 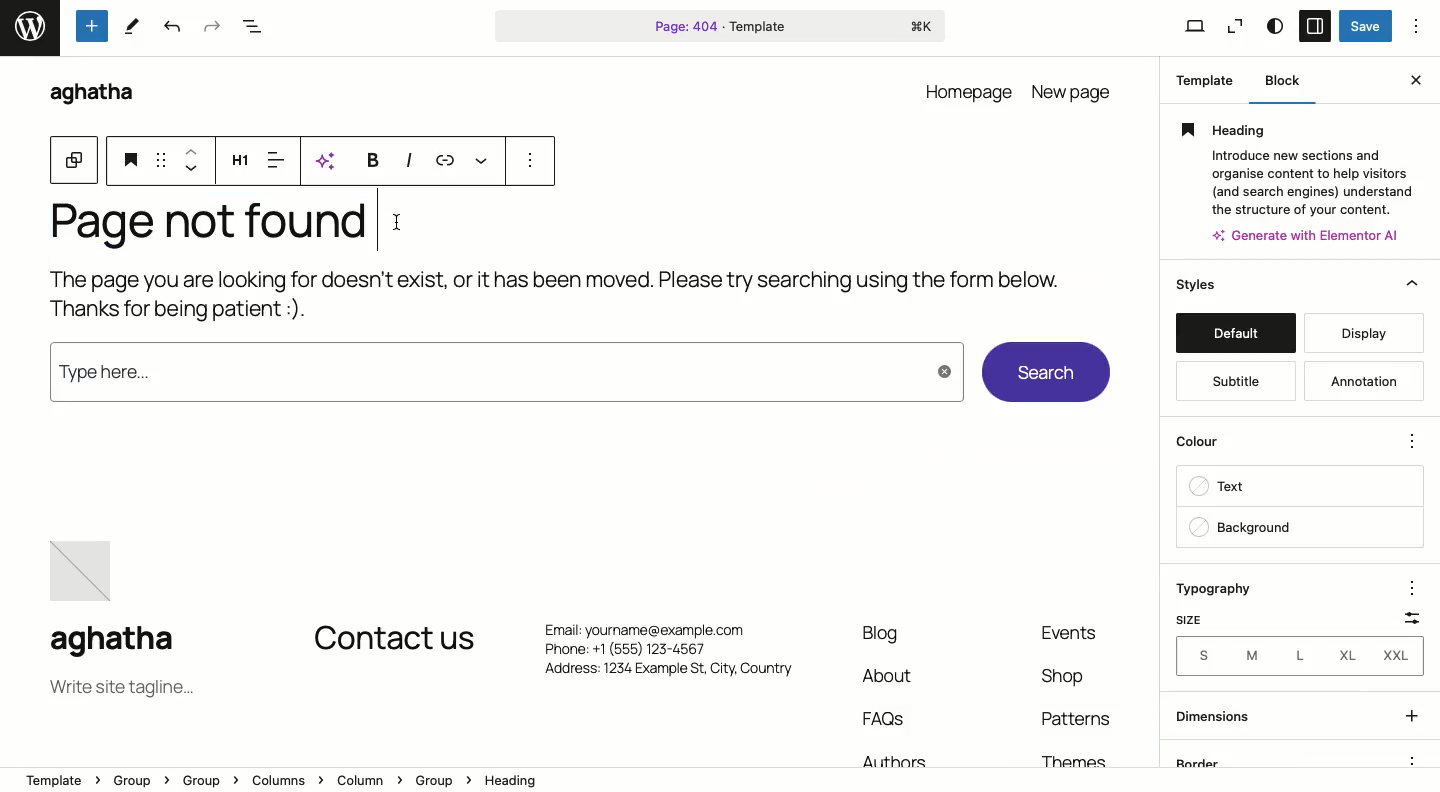 What do you see at coordinates (29, 28) in the screenshot?
I see `word press logo` at bounding box center [29, 28].